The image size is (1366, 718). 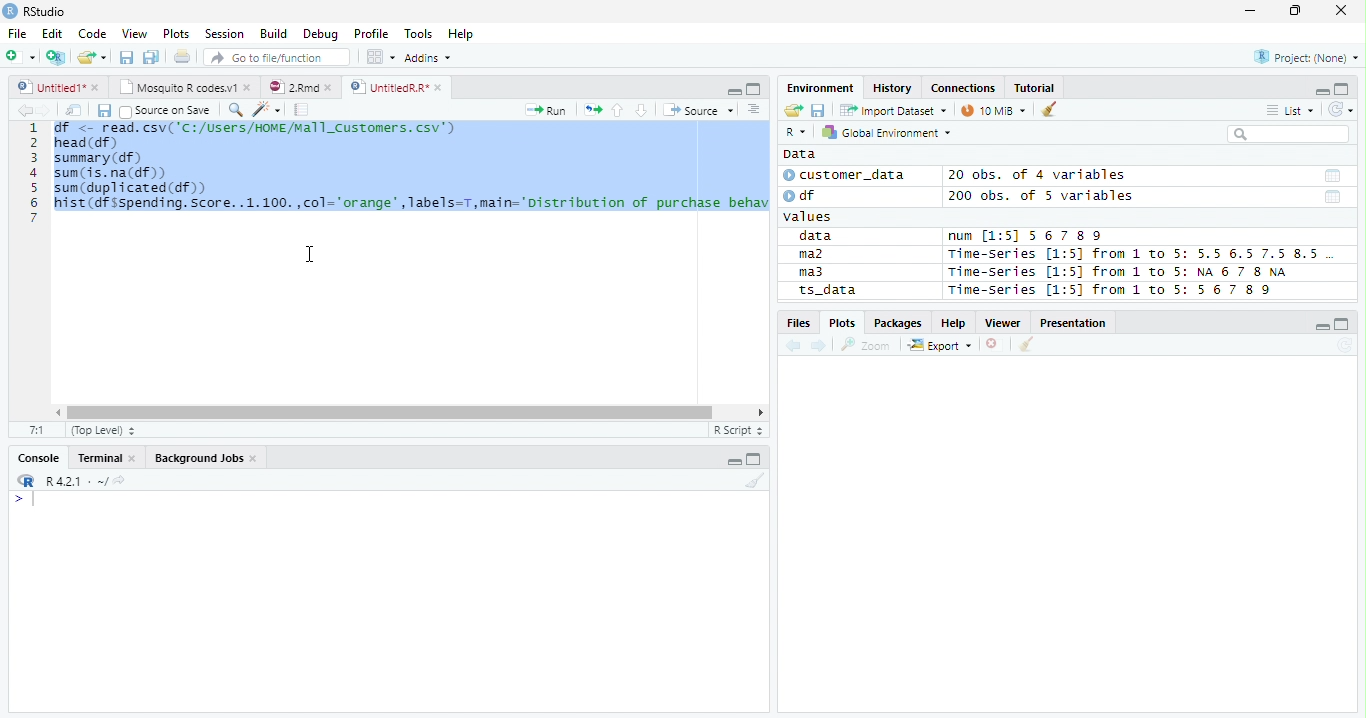 I want to click on Top Level, so click(x=101, y=431).